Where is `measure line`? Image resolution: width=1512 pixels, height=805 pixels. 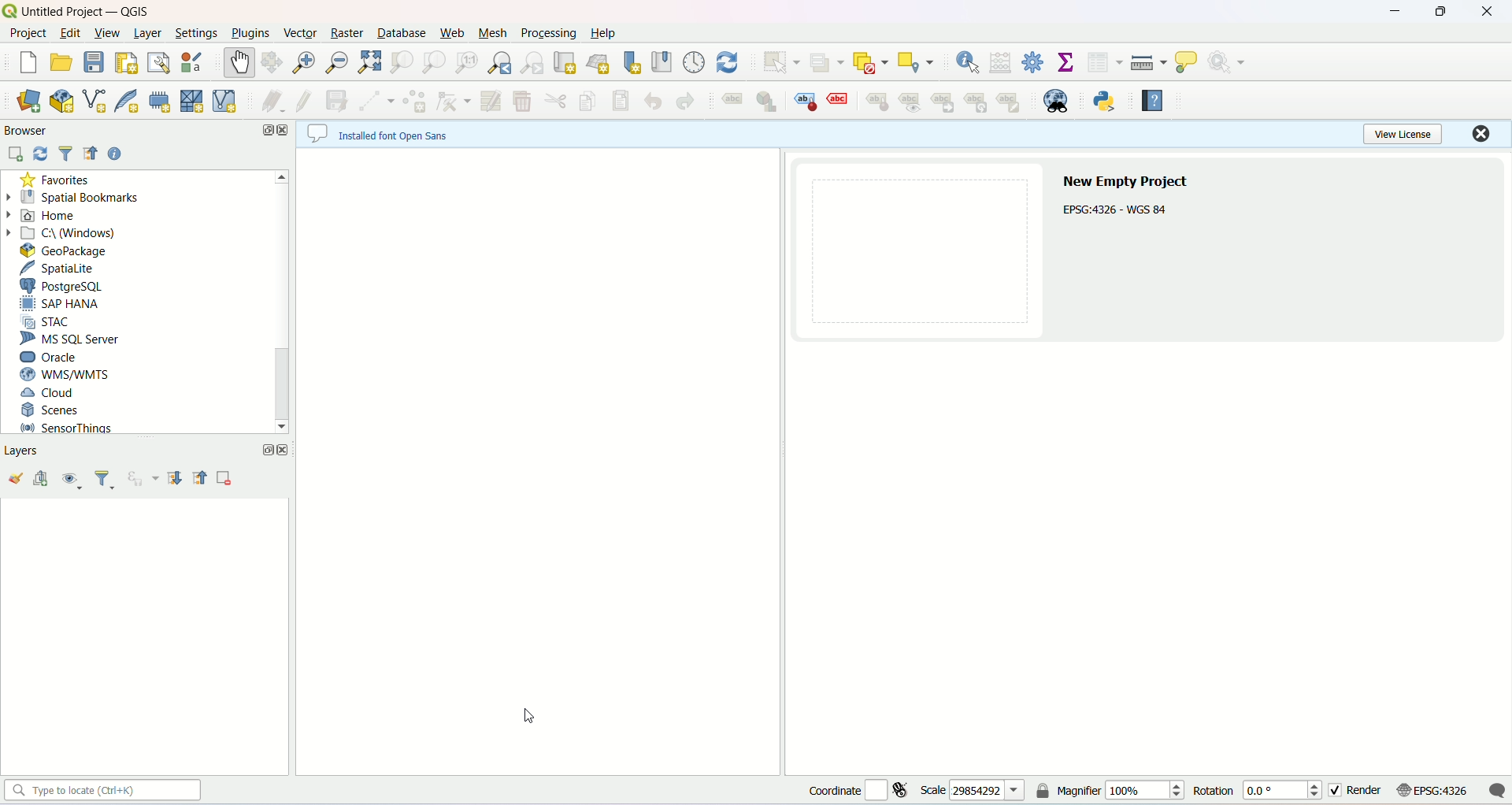 measure line is located at coordinates (1149, 63).